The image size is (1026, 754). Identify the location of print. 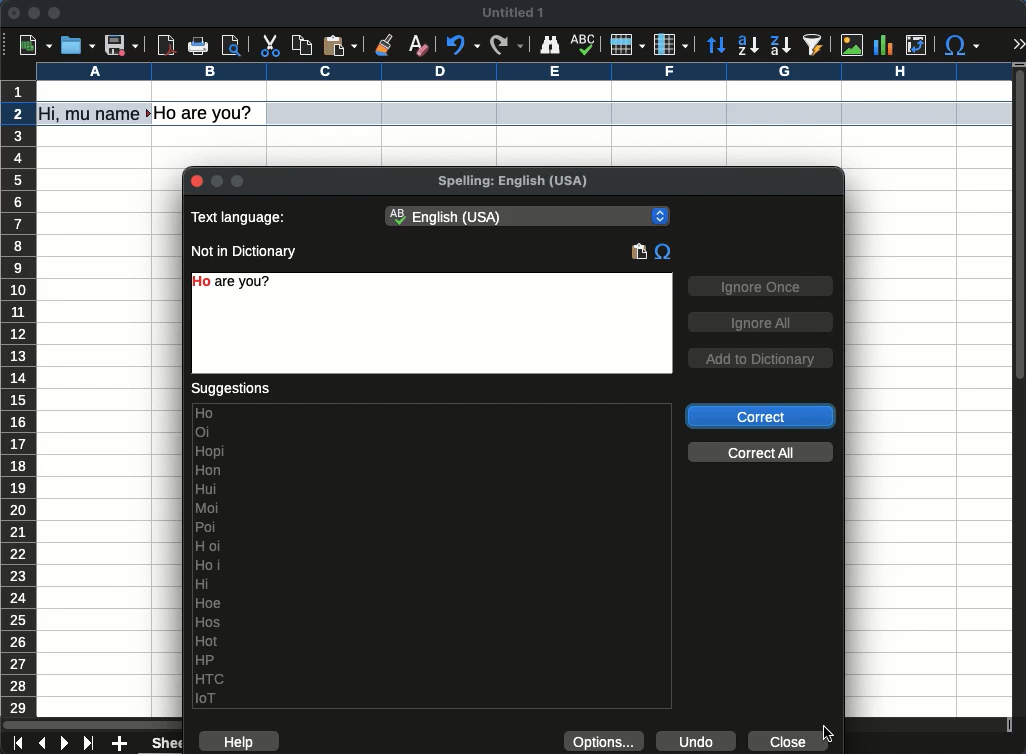
(199, 45).